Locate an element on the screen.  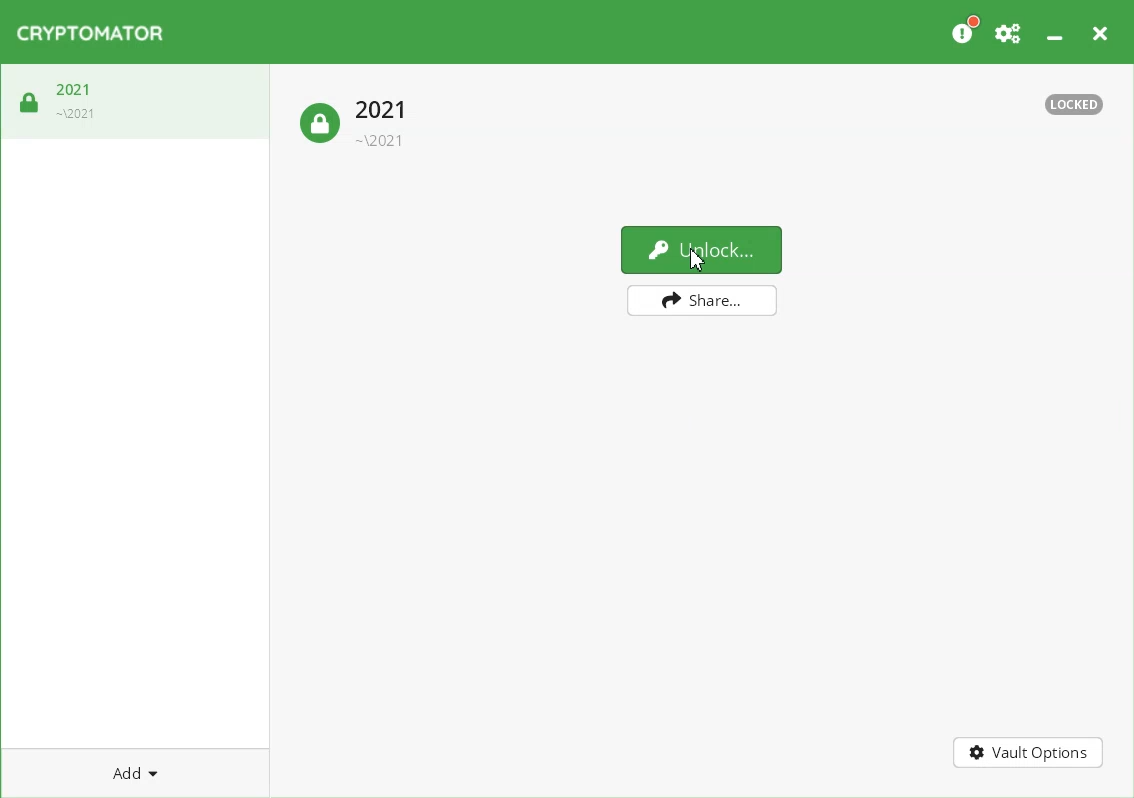
Share is located at coordinates (703, 300).